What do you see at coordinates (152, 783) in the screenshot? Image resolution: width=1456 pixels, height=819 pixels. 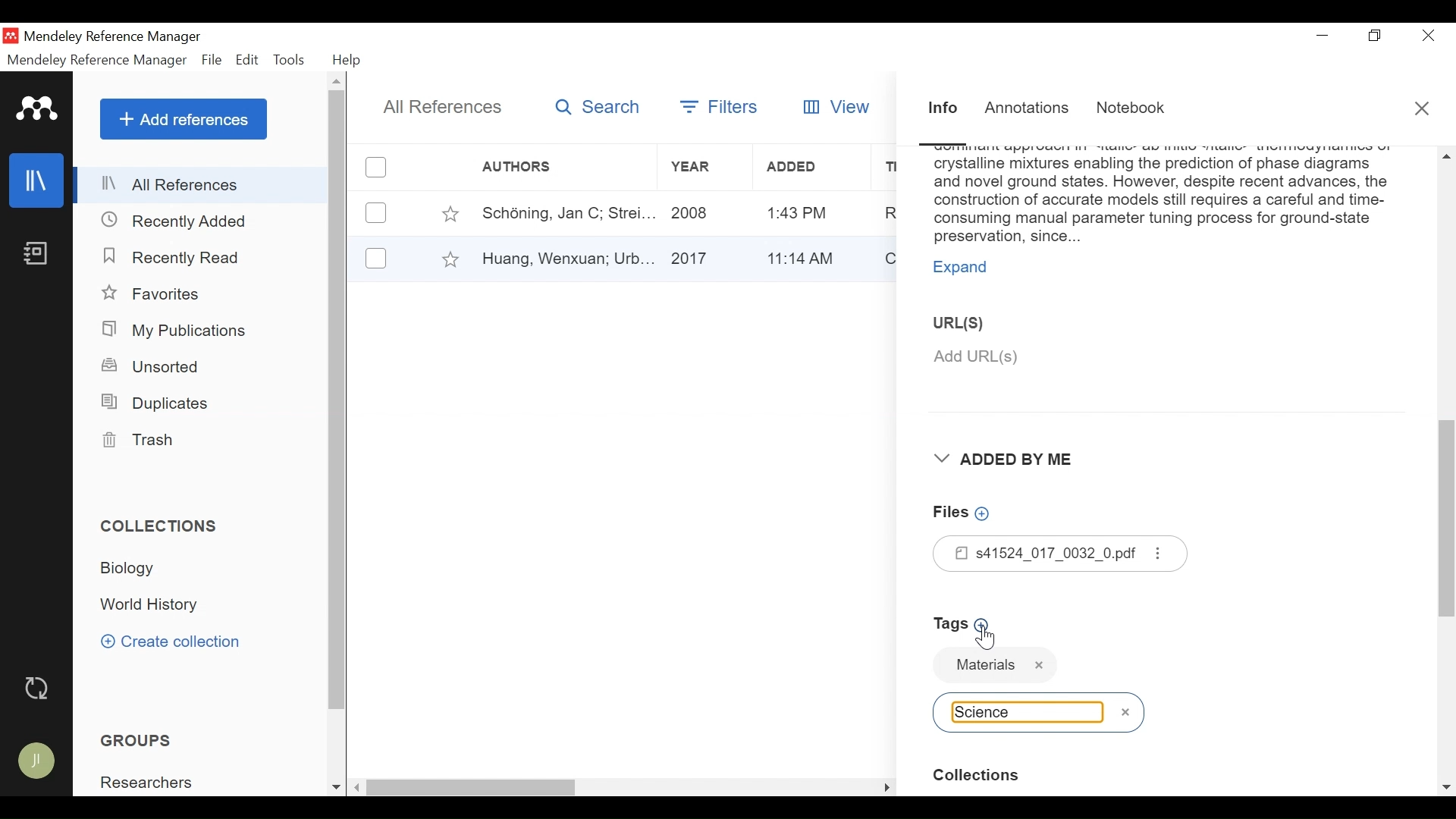 I see `Group` at bounding box center [152, 783].